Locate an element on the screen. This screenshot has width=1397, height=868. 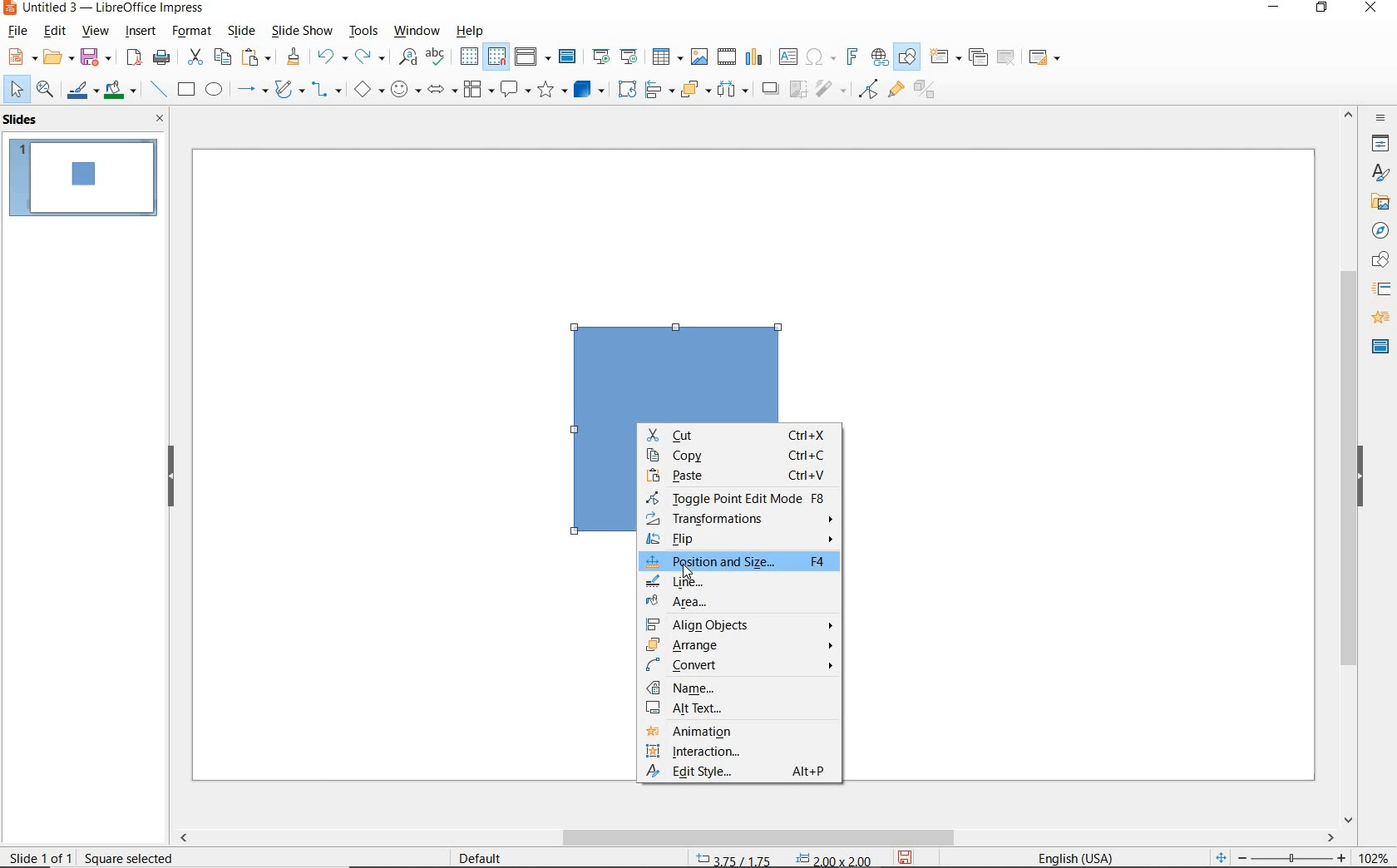
sidebar settings is located at coordinates (1381, 119).